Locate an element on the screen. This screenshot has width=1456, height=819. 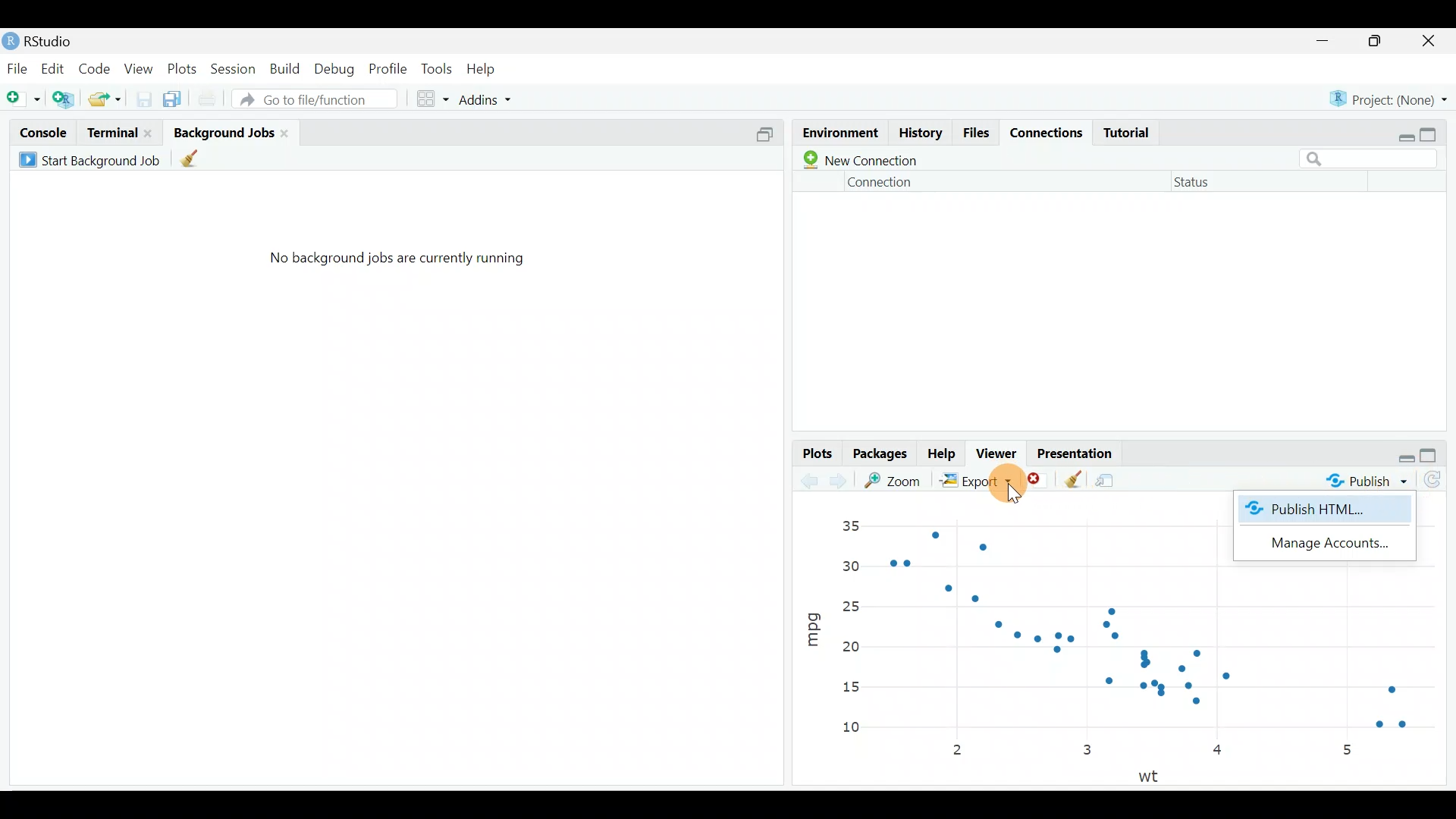
Go back is located at coordinates (810, 479).